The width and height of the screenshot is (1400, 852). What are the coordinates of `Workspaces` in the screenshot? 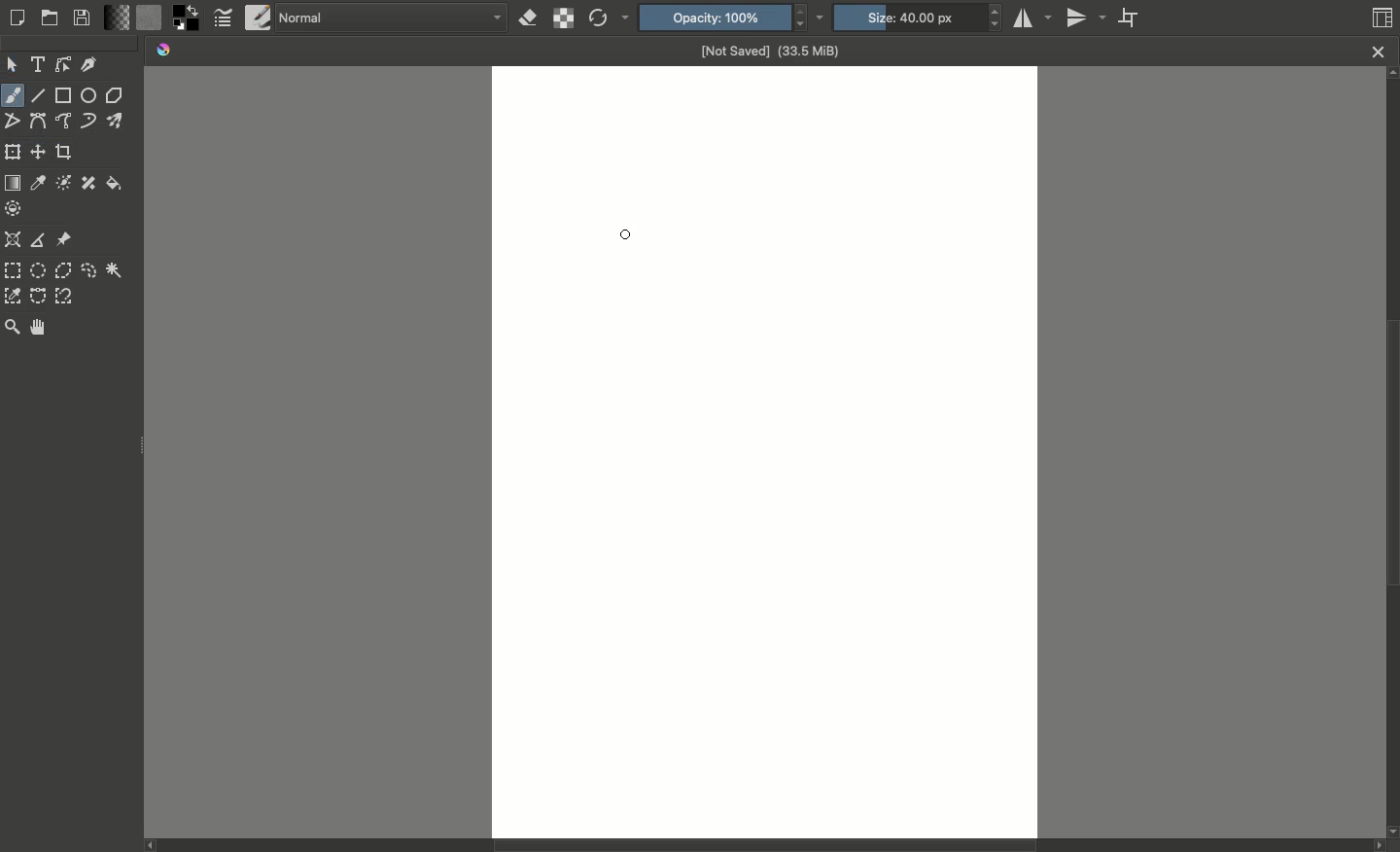 It's located at (1382, 16).